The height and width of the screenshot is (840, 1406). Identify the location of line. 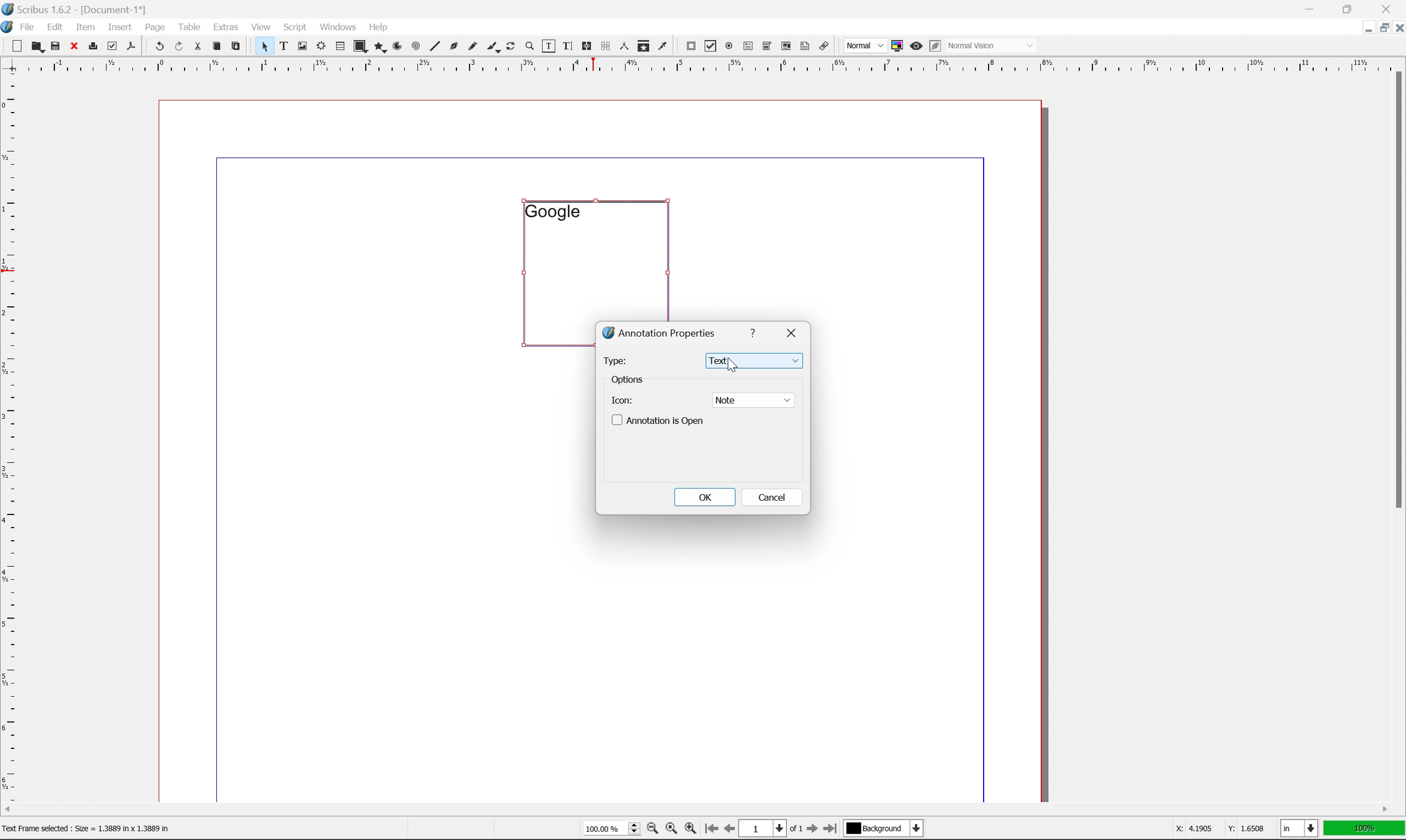
(435, 47).